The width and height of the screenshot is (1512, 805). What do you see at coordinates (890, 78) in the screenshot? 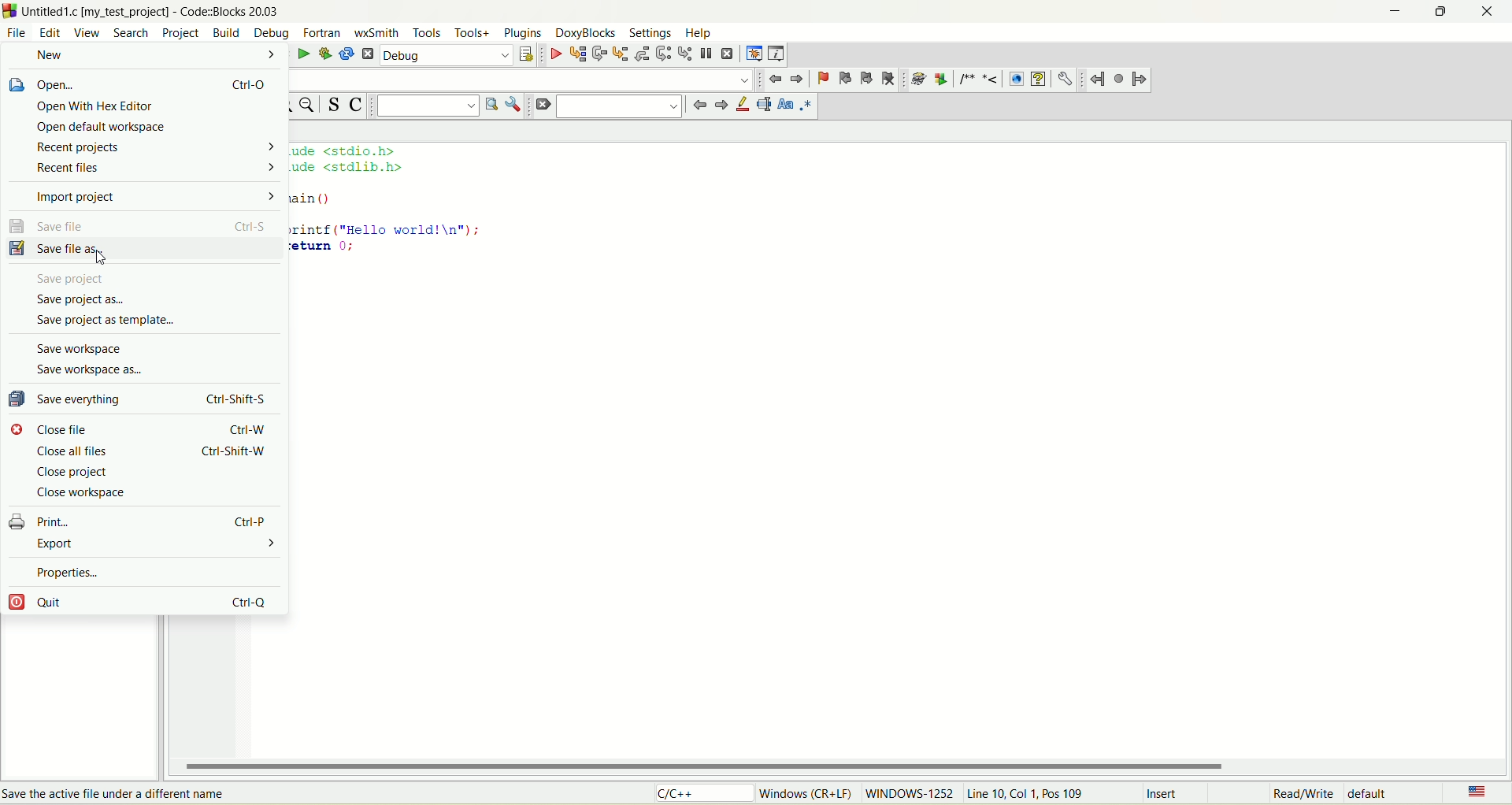
I see `clear bookmark` at bounding box center [890, 78].